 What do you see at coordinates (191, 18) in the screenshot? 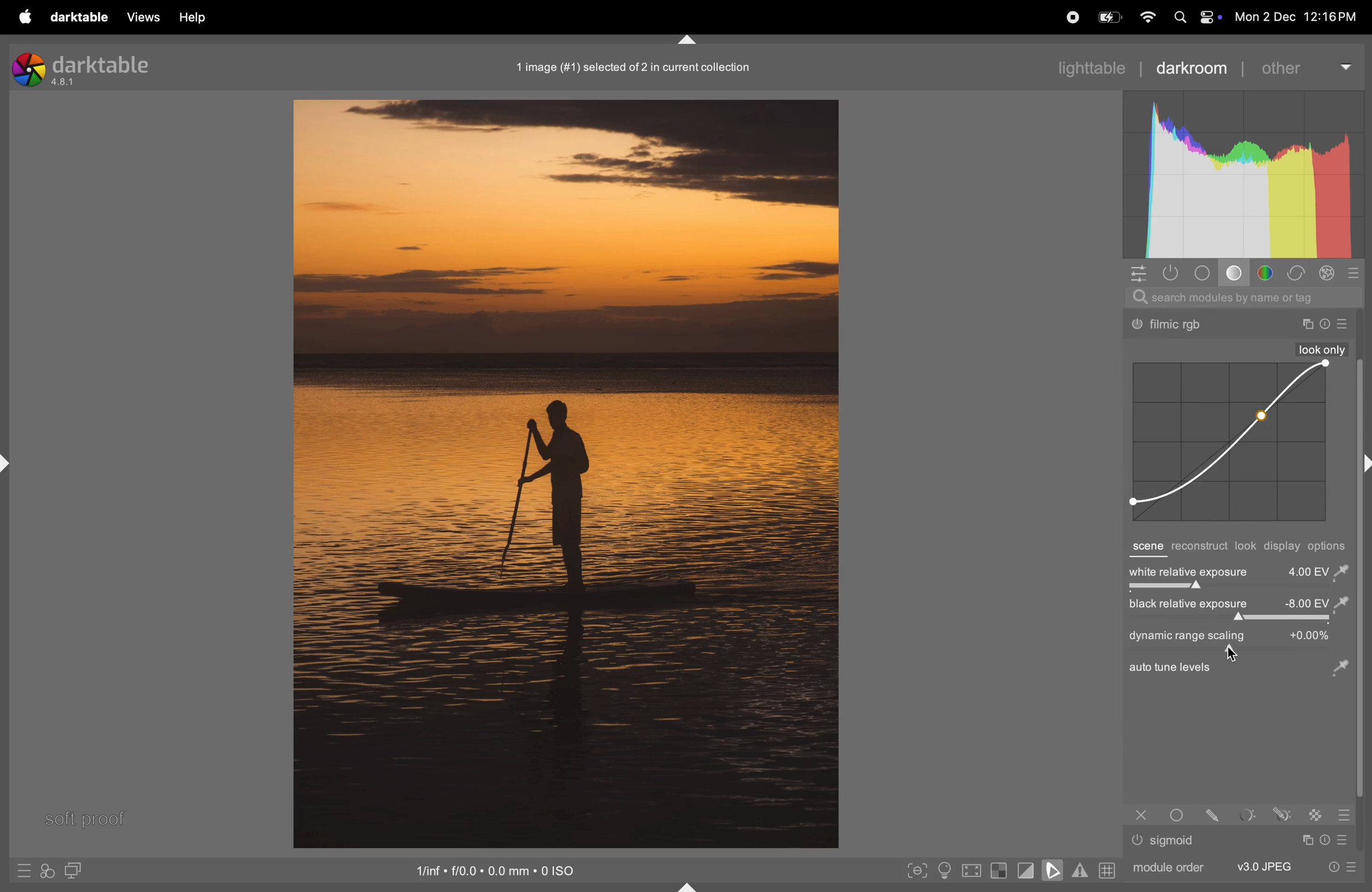
I see `help` at bounding box center [191, 18].